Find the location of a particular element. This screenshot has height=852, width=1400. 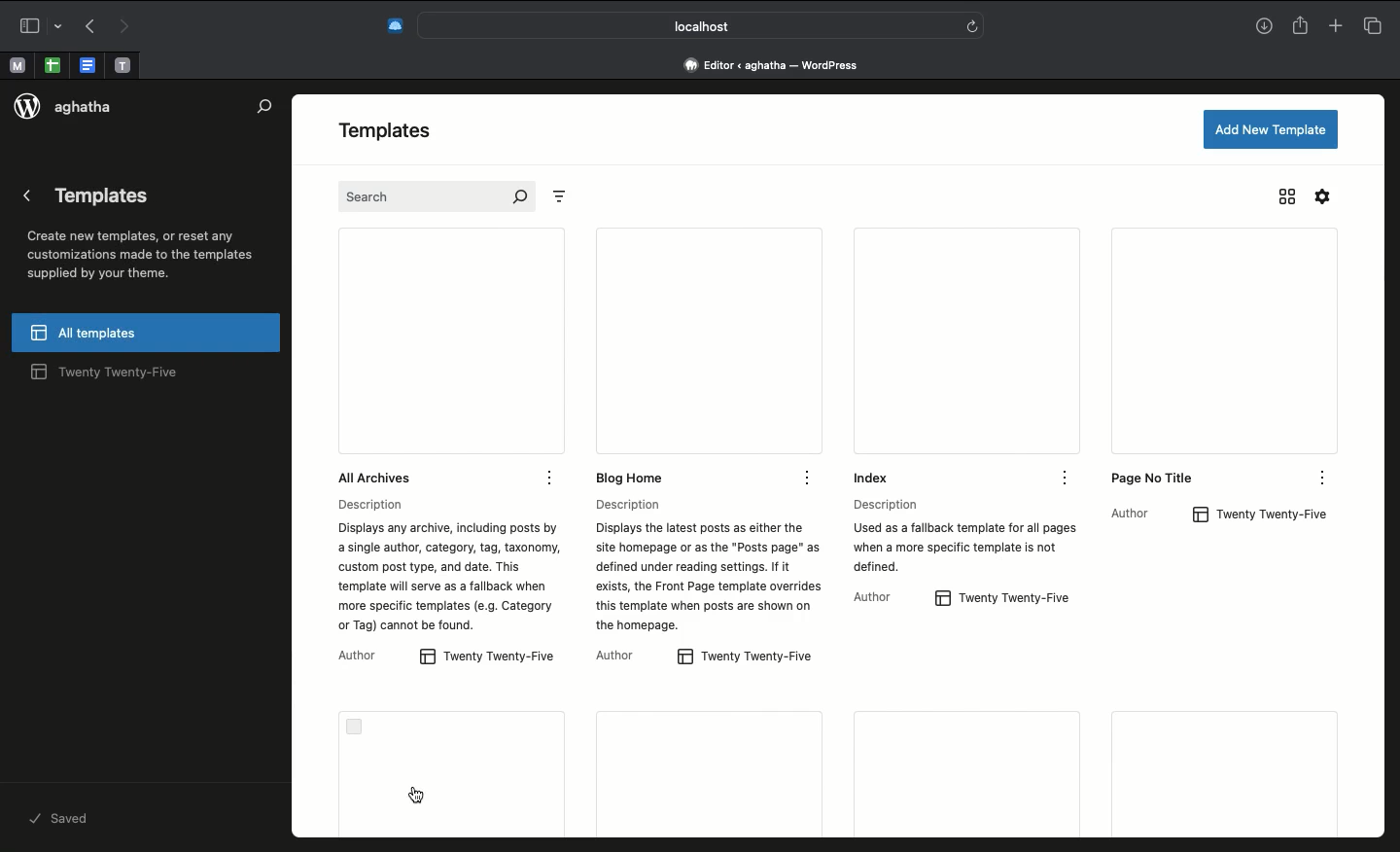

Index is located at coordinates (962, 356).